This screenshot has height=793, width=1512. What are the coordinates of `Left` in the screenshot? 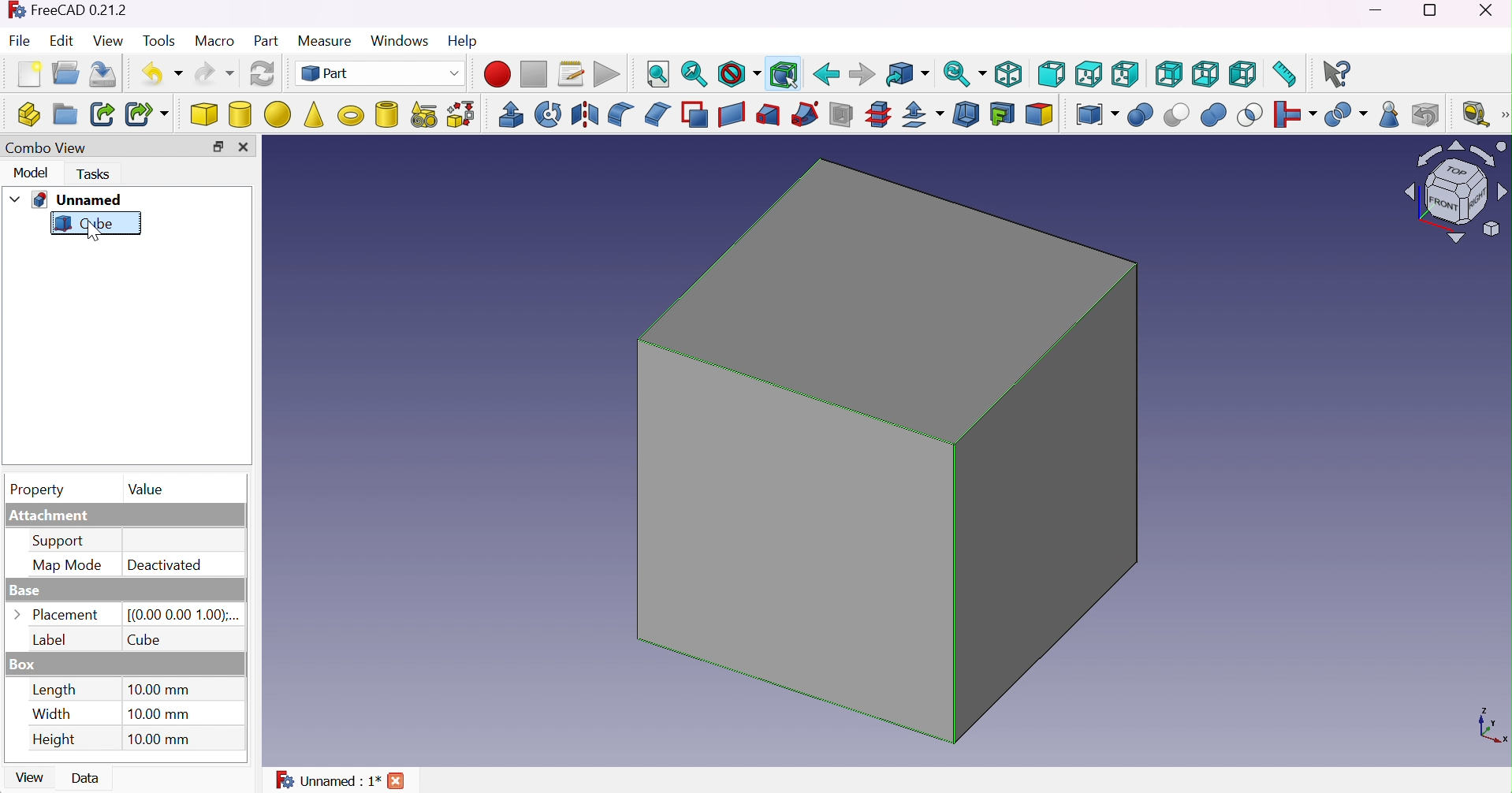 It's located at (1243, 75).